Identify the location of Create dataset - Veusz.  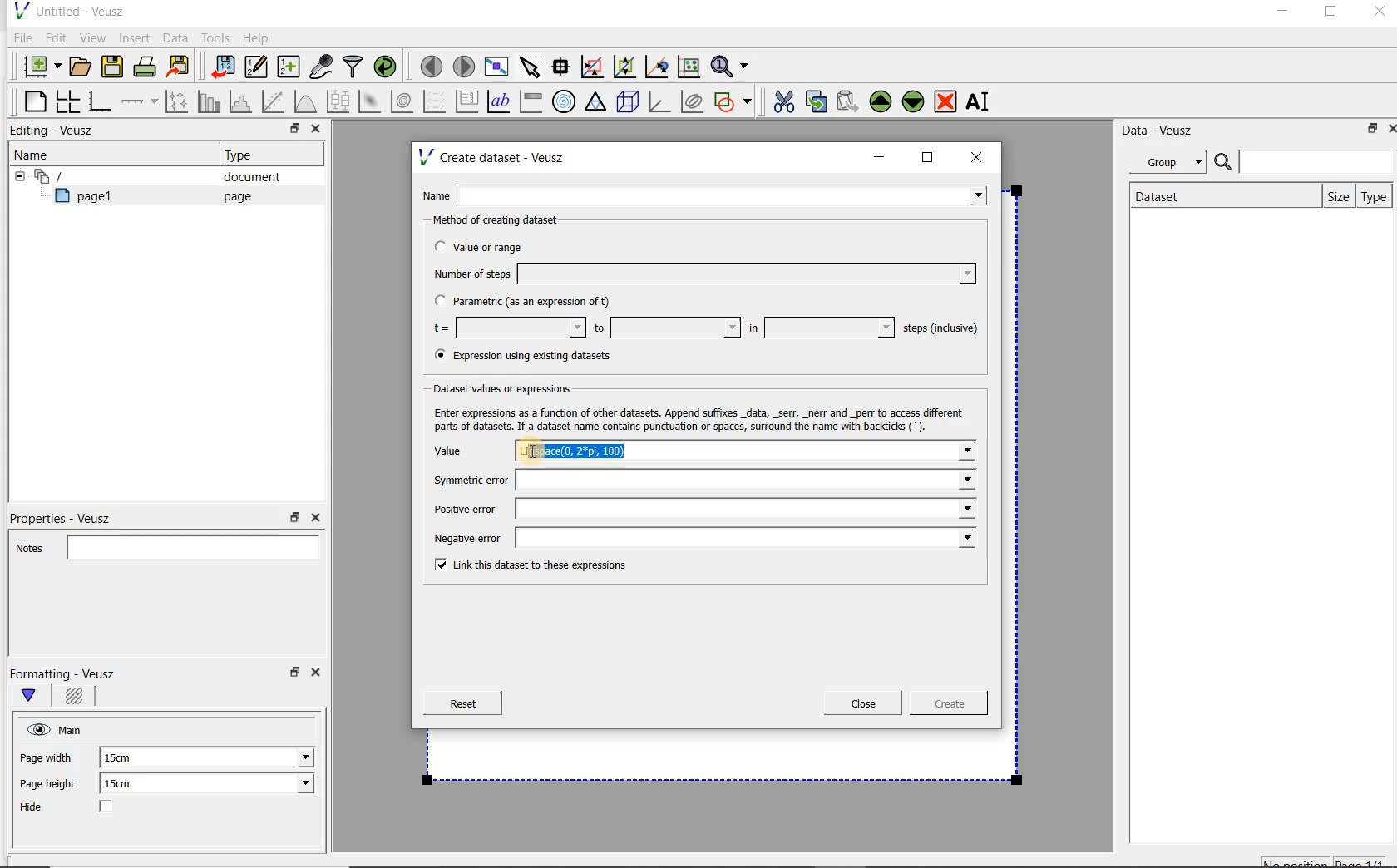
(494, 157).